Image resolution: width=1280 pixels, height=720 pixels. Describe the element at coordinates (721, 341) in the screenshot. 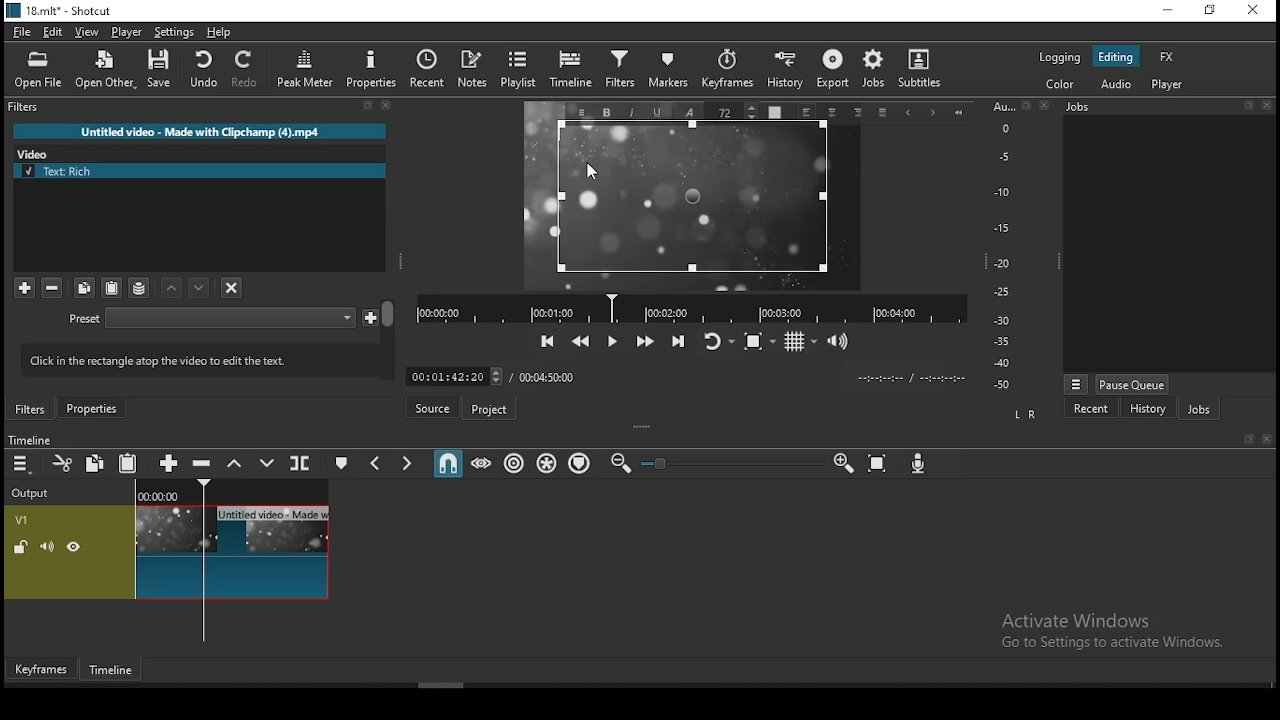

I see `toggle player looping` at that location.